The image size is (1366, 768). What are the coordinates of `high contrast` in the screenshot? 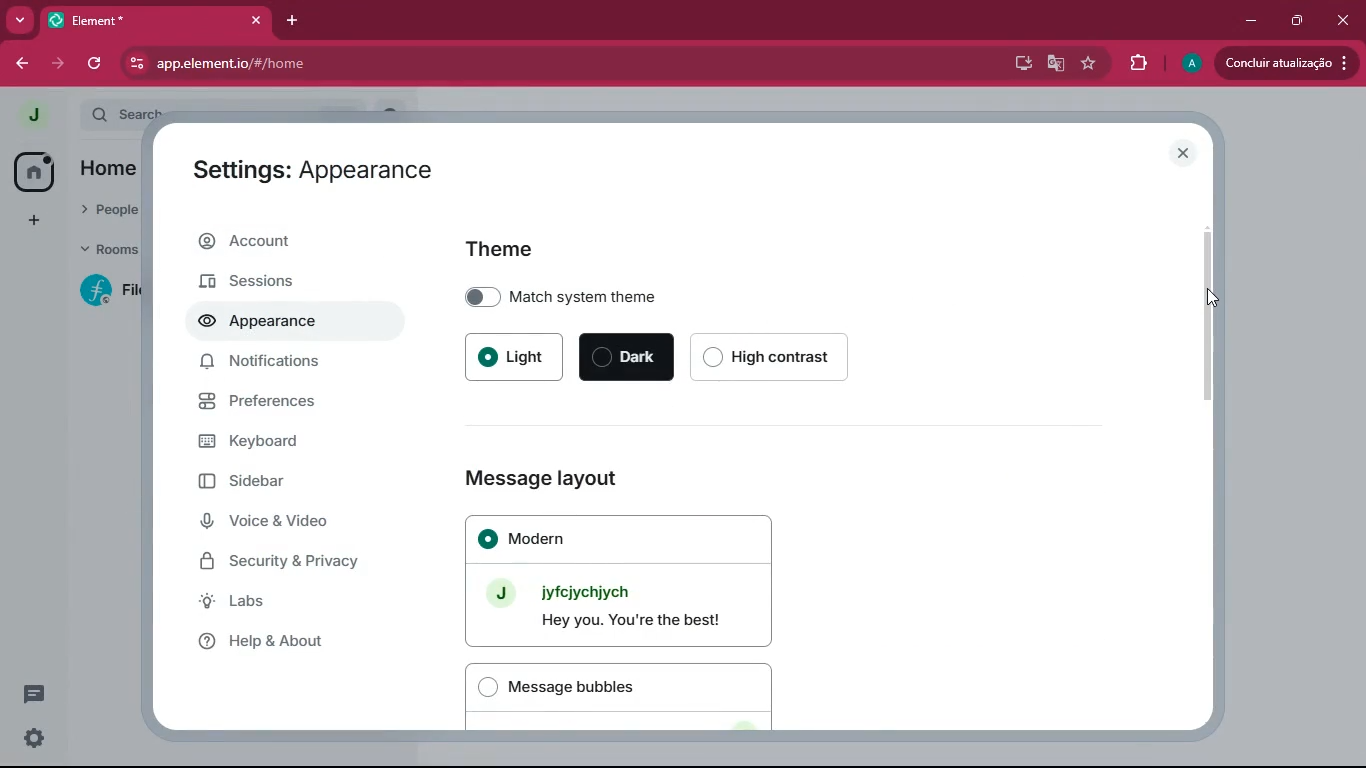 It's located at (779, 356).